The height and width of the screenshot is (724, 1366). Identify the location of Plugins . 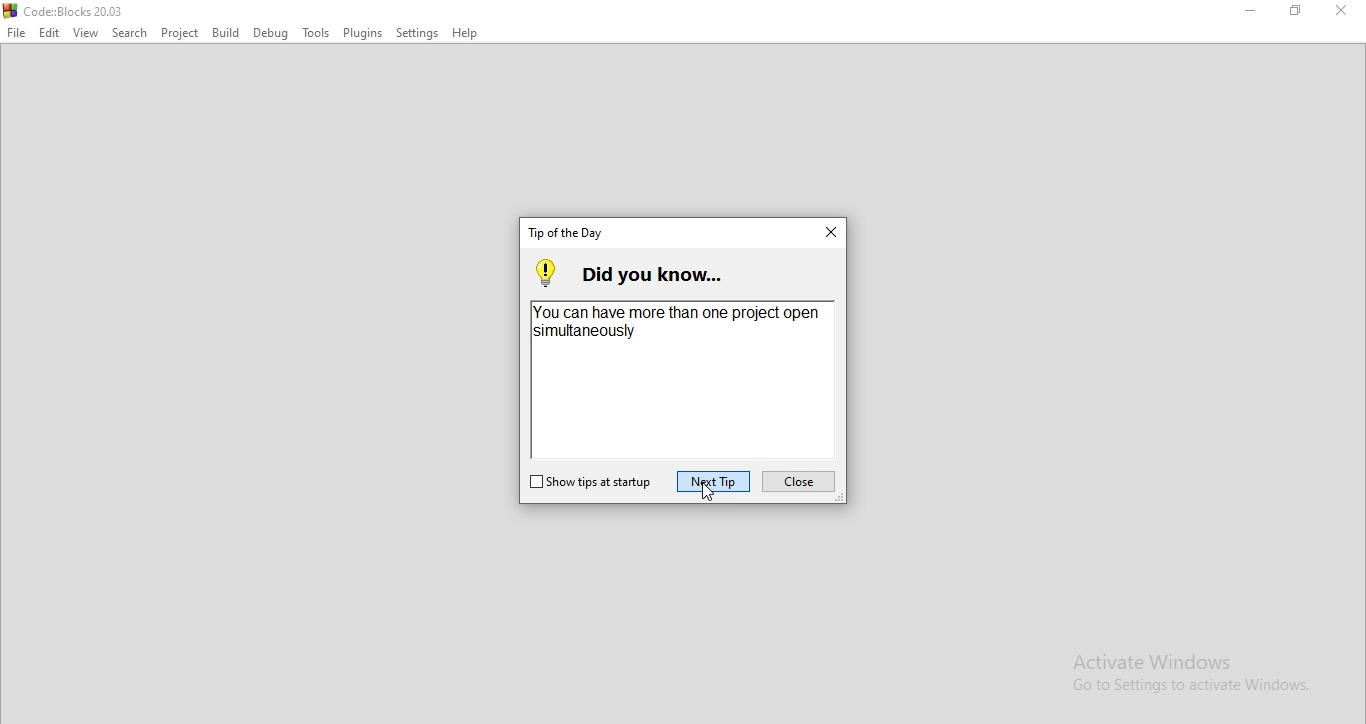
(363, 30).